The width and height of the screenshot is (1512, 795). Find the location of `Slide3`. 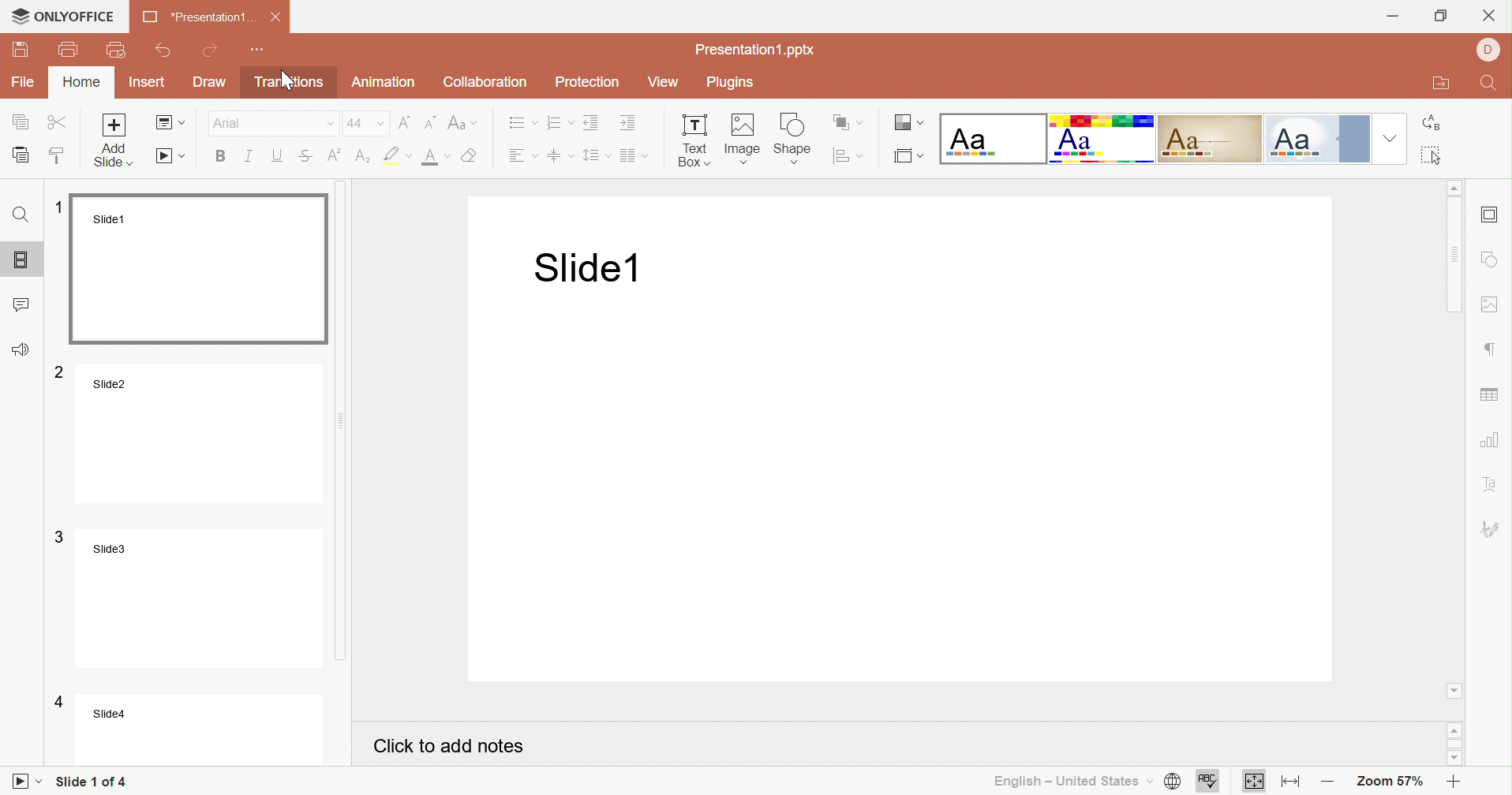

Slide3 is located at coordinates (186, 596).